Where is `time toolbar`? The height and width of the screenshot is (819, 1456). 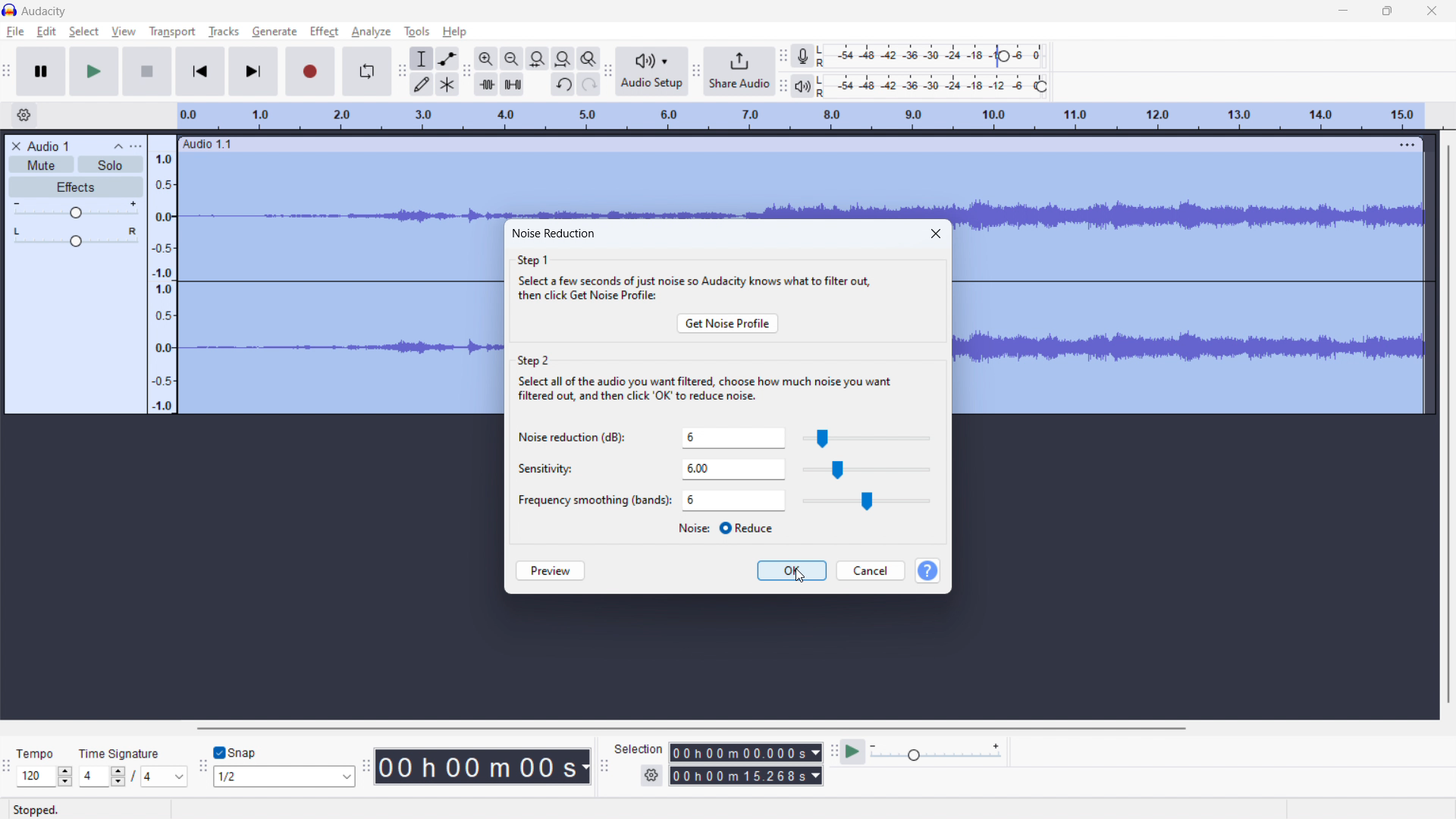
time toolbar is located at coordinates (366, 764).